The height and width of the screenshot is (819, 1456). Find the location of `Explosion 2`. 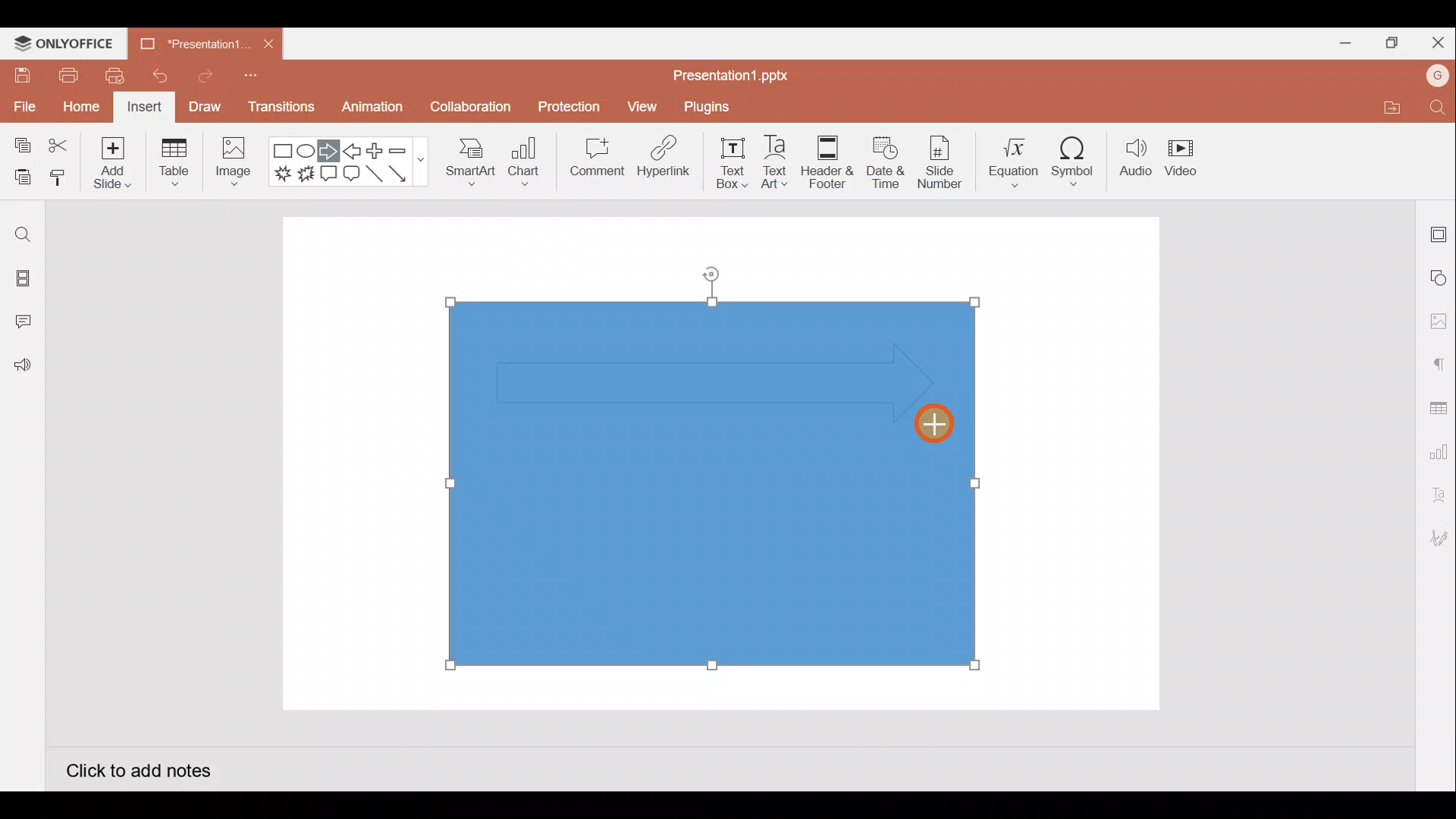

Explosion 2 is located at coordinates (306, 174).